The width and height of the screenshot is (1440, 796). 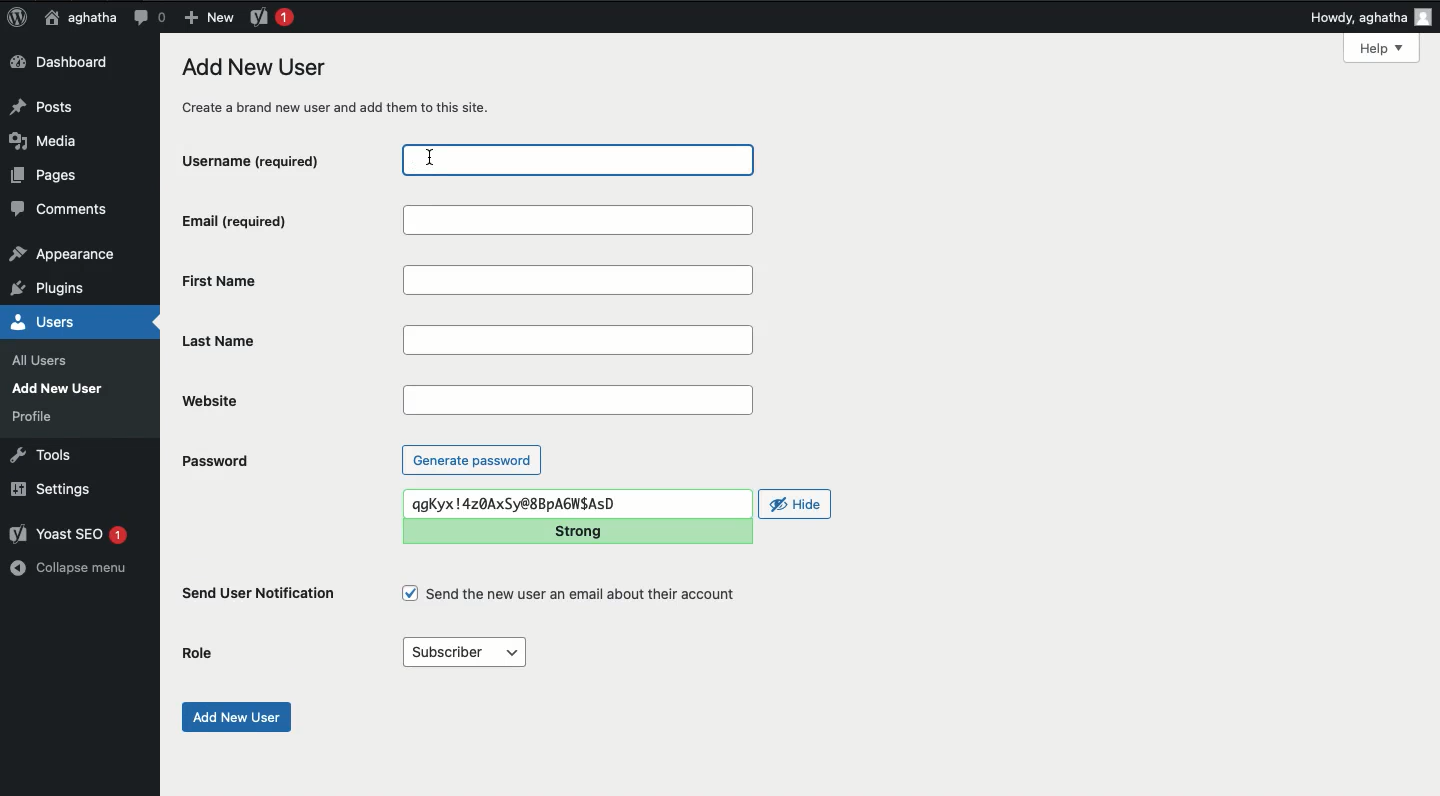 What do you see at coordinates (281, 160) in the screenshot?
I see `Username (required)` at bounding box center [281, 160].